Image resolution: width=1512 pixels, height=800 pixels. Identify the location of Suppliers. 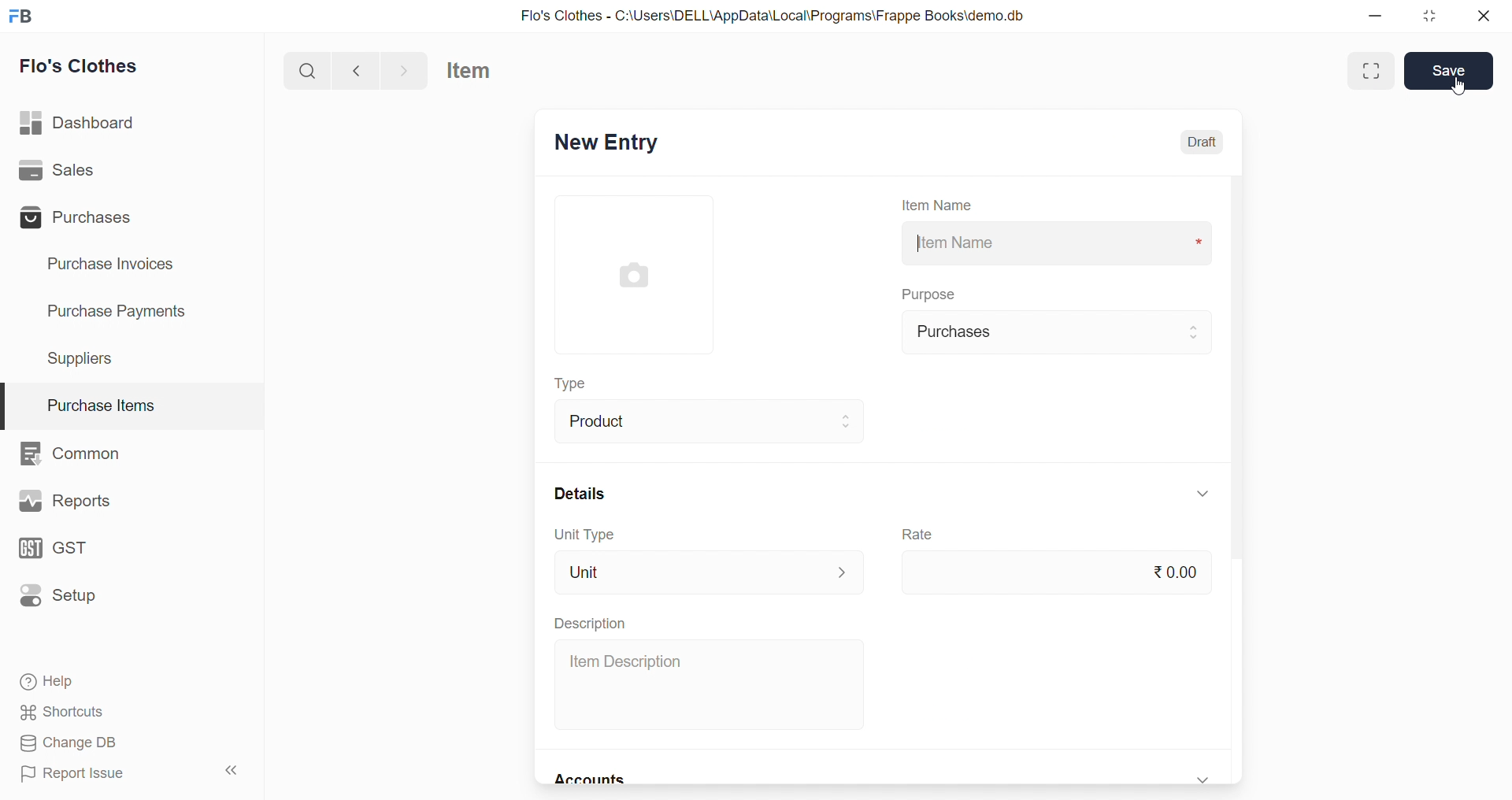
(87, 357).